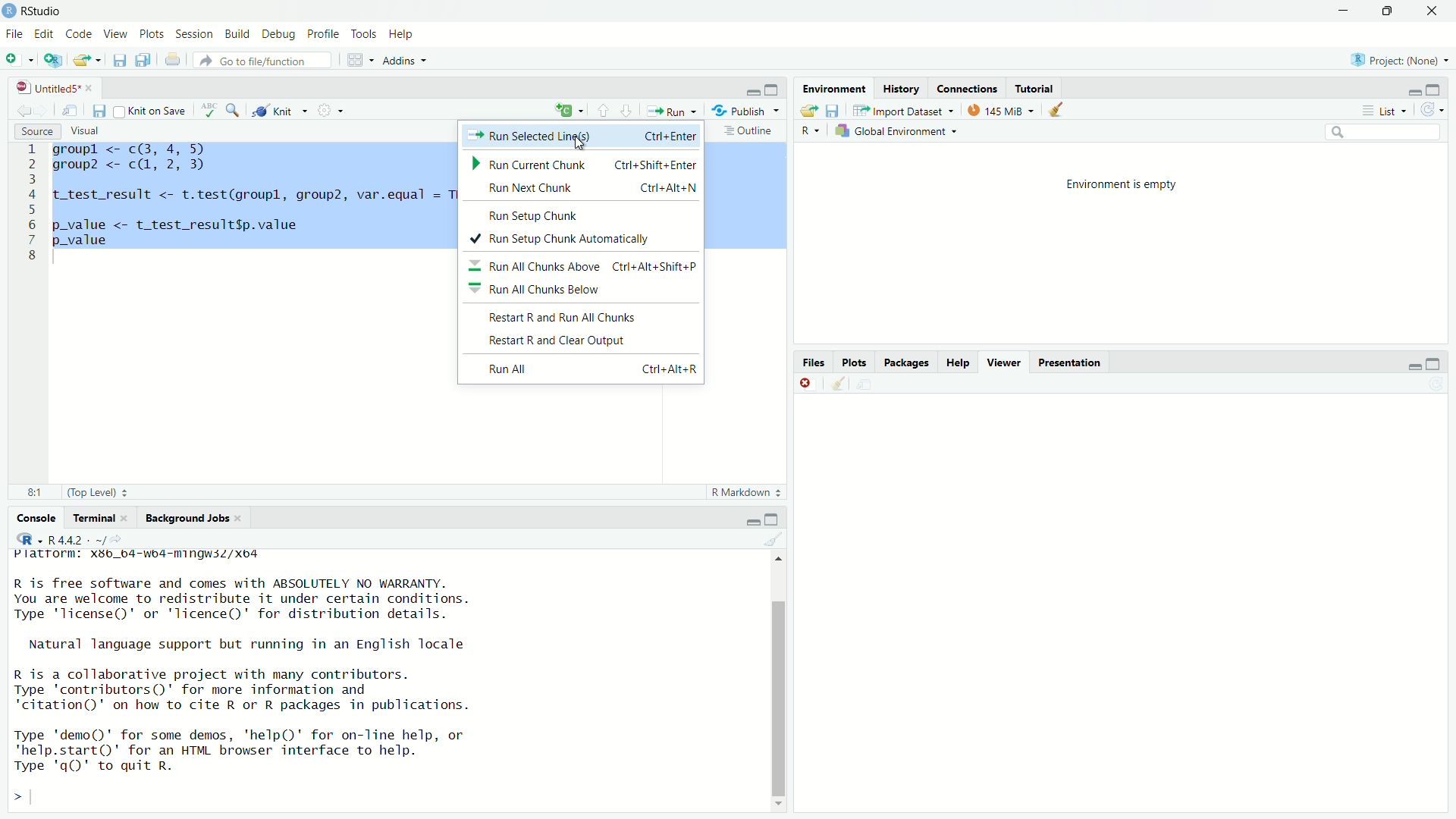  What do you see at coordinates (115, 30) in the screenshot?
I see `View` at bounding box center [115, 30].